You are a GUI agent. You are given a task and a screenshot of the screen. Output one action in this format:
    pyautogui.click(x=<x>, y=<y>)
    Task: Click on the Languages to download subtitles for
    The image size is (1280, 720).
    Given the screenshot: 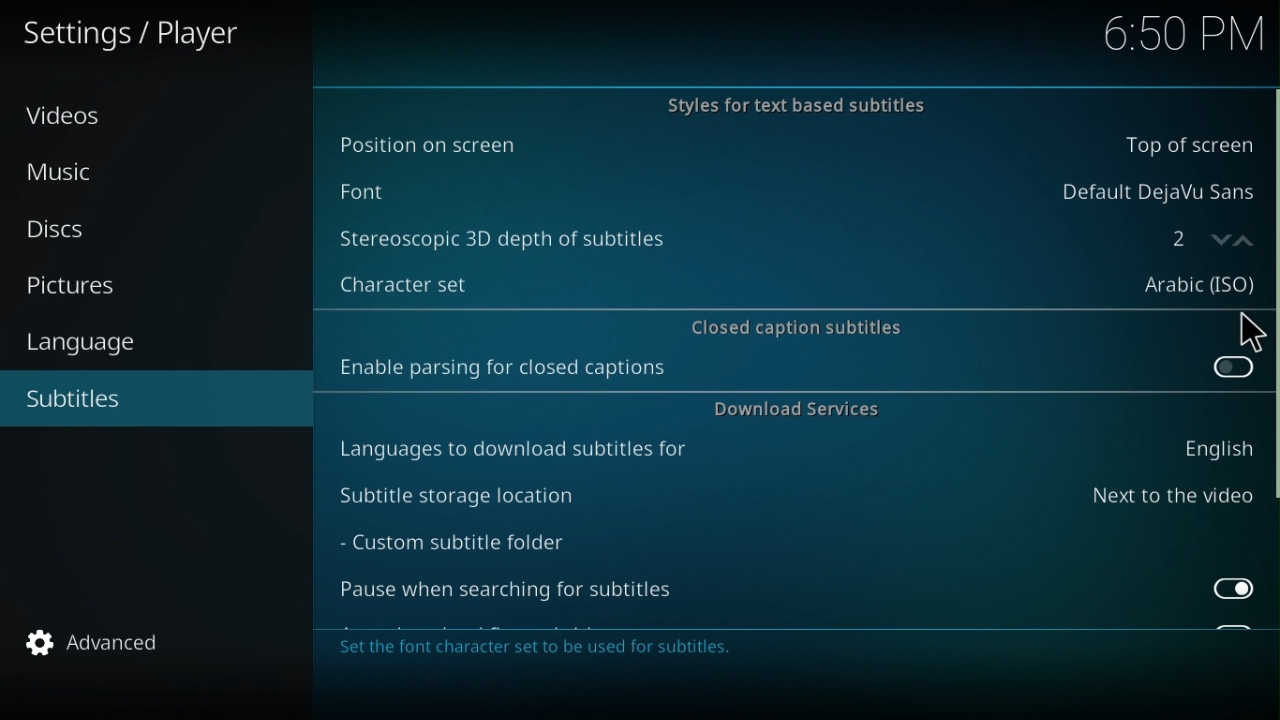 What is the action you would take?
    pyautogui.click(x=731, y=454)
    